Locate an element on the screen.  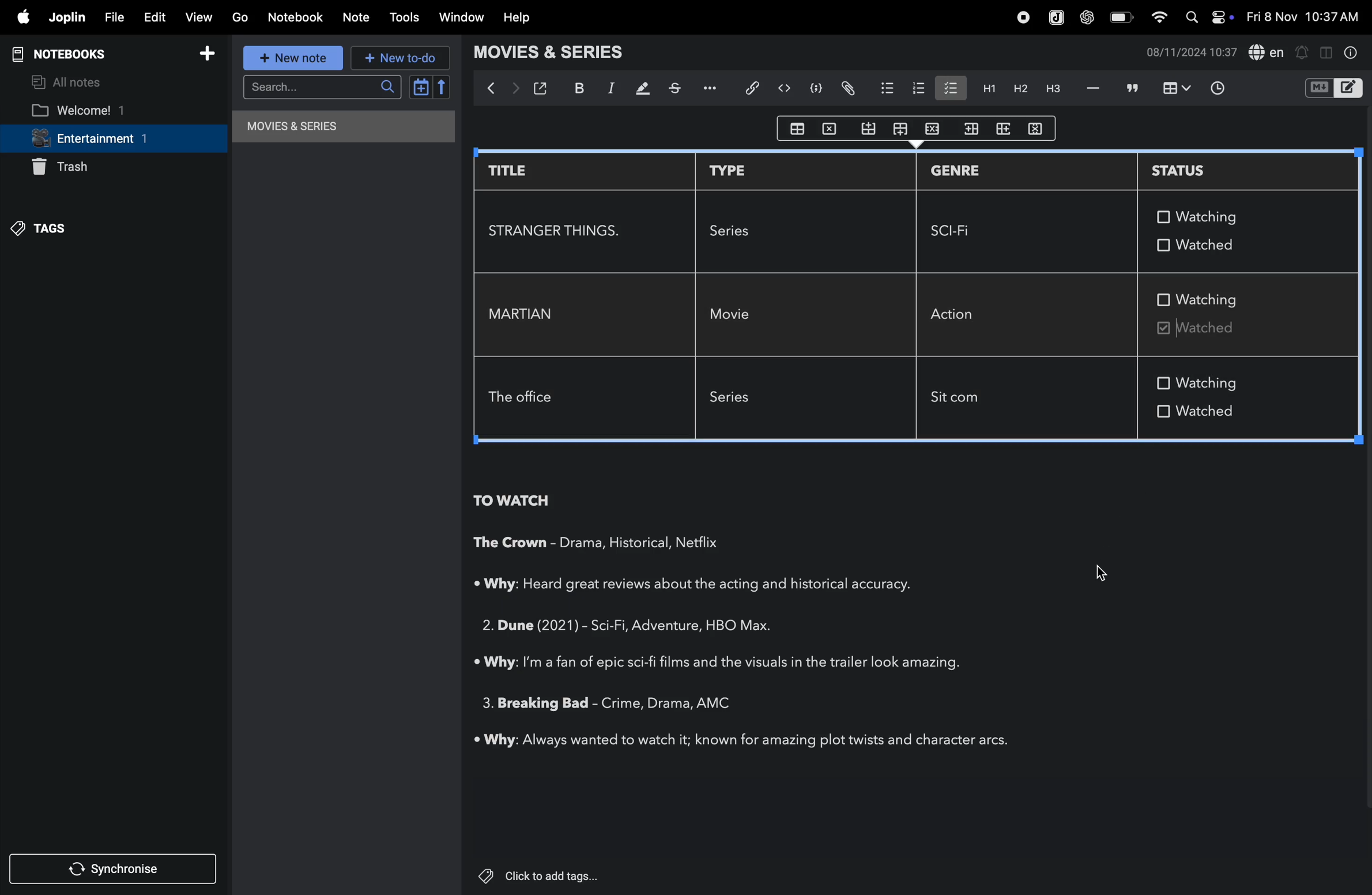
all notes is located at coordinates (71, 81).